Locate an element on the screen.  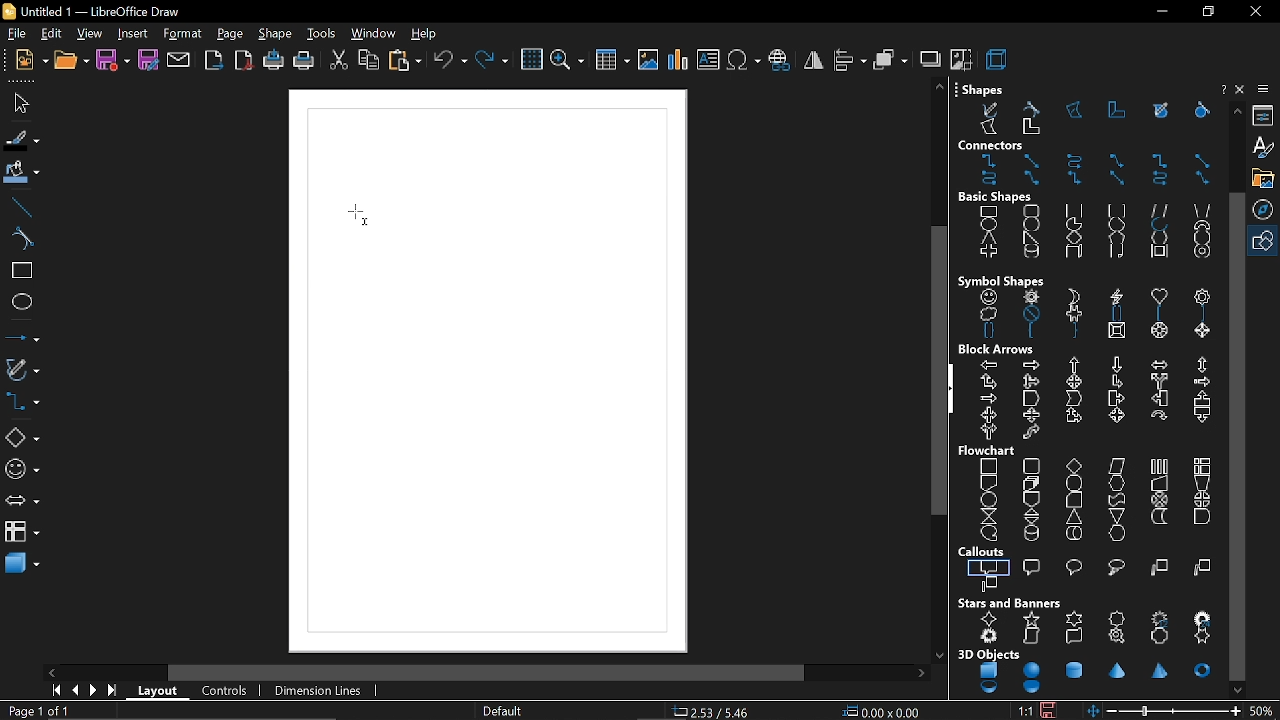
process is located at coordinates (990, 465).